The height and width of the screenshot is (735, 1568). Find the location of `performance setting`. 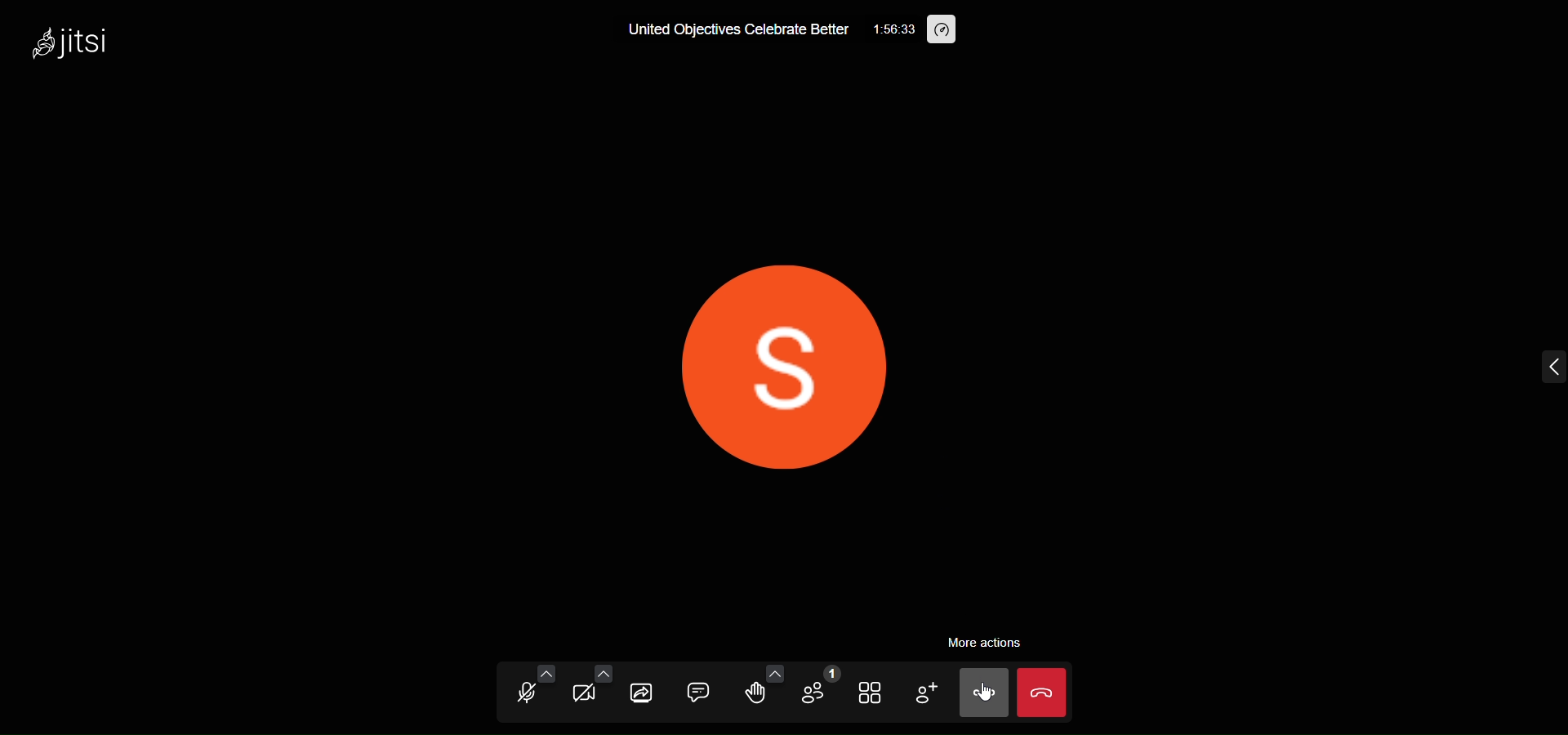

performance setting is located at coordinates (942, 30).